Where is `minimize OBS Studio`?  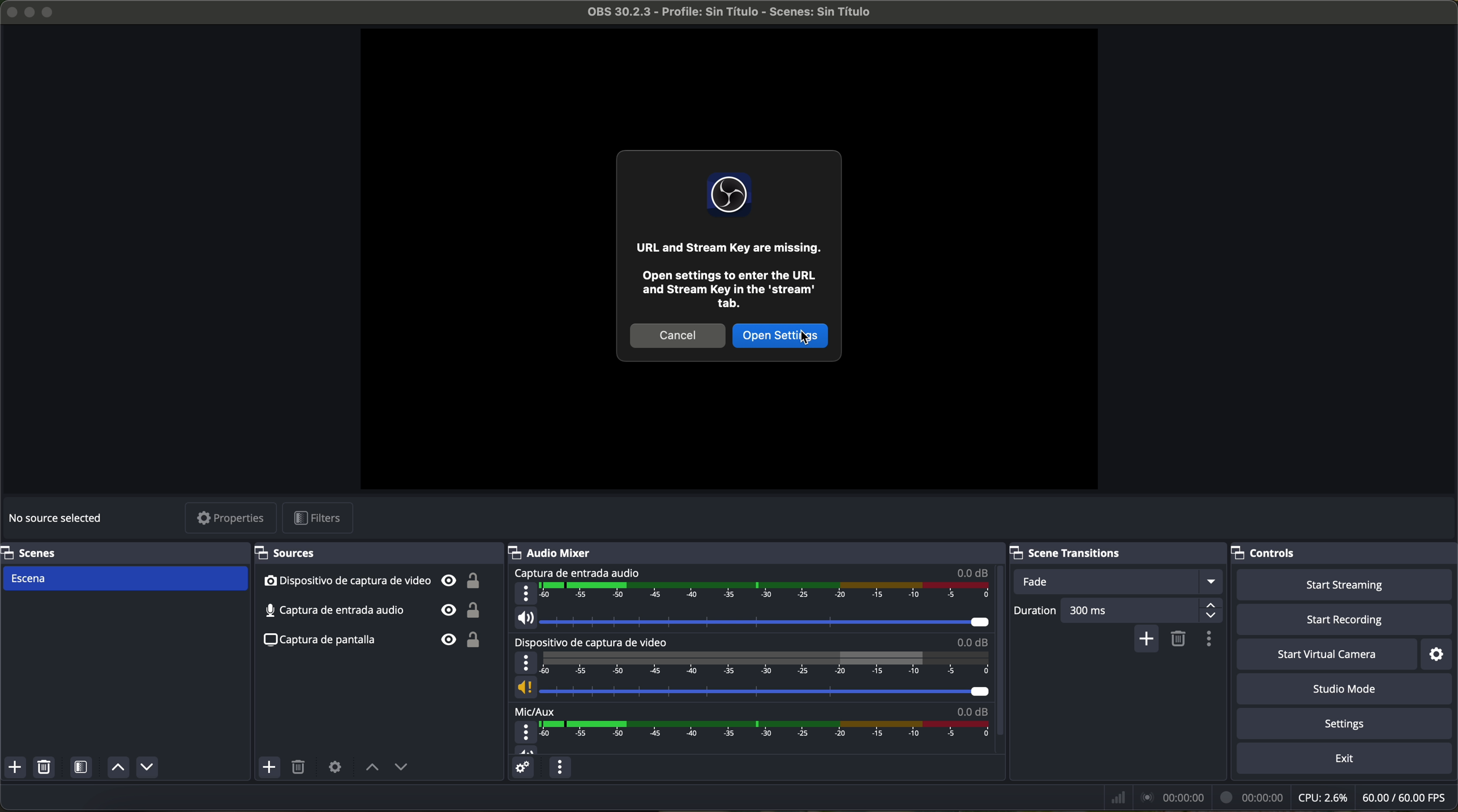
minimize OBS Studio is located at coordinates (32, 11).